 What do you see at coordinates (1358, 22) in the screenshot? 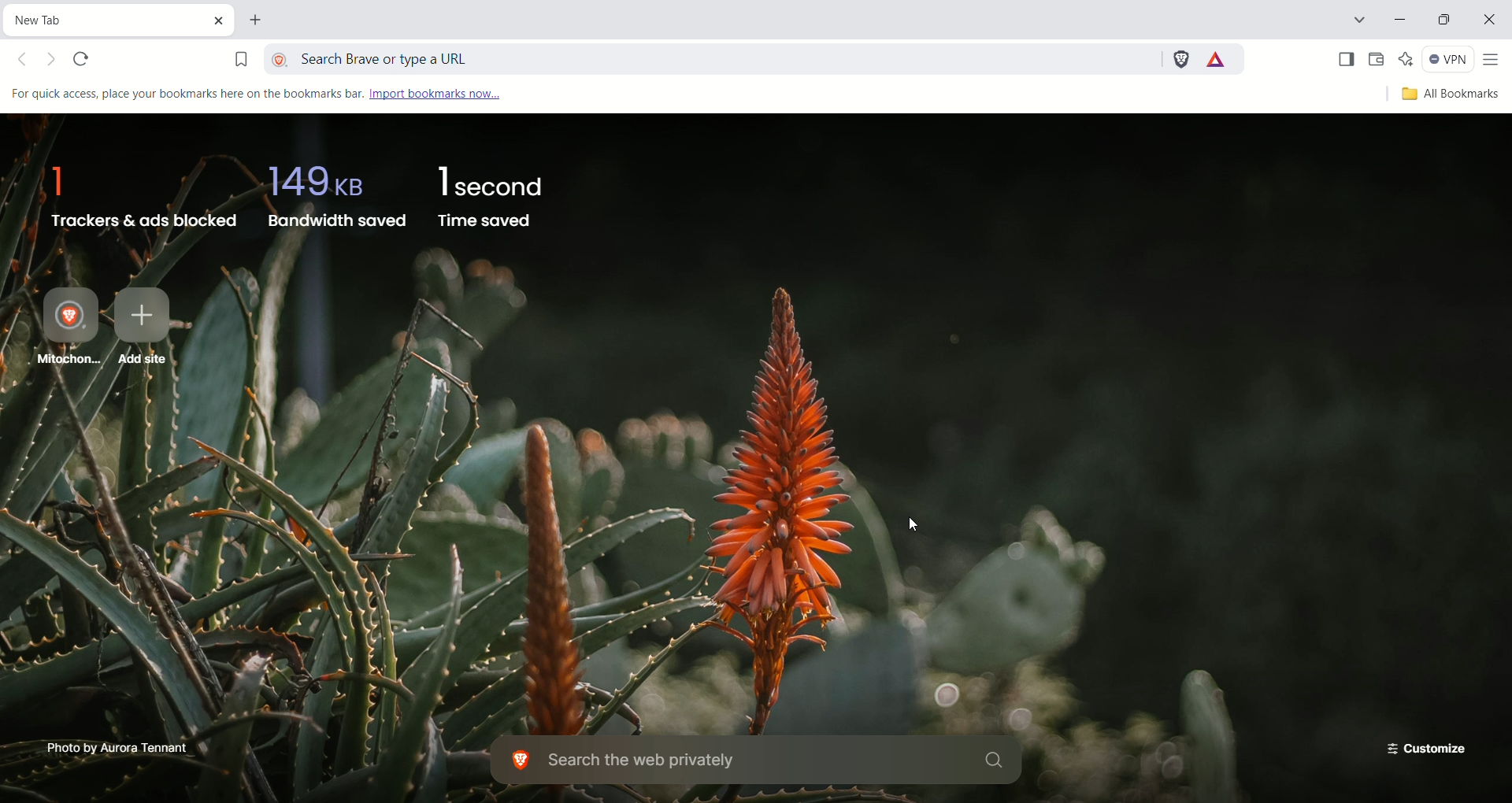
I see `search tabs` at bounding box center [1358, 22].